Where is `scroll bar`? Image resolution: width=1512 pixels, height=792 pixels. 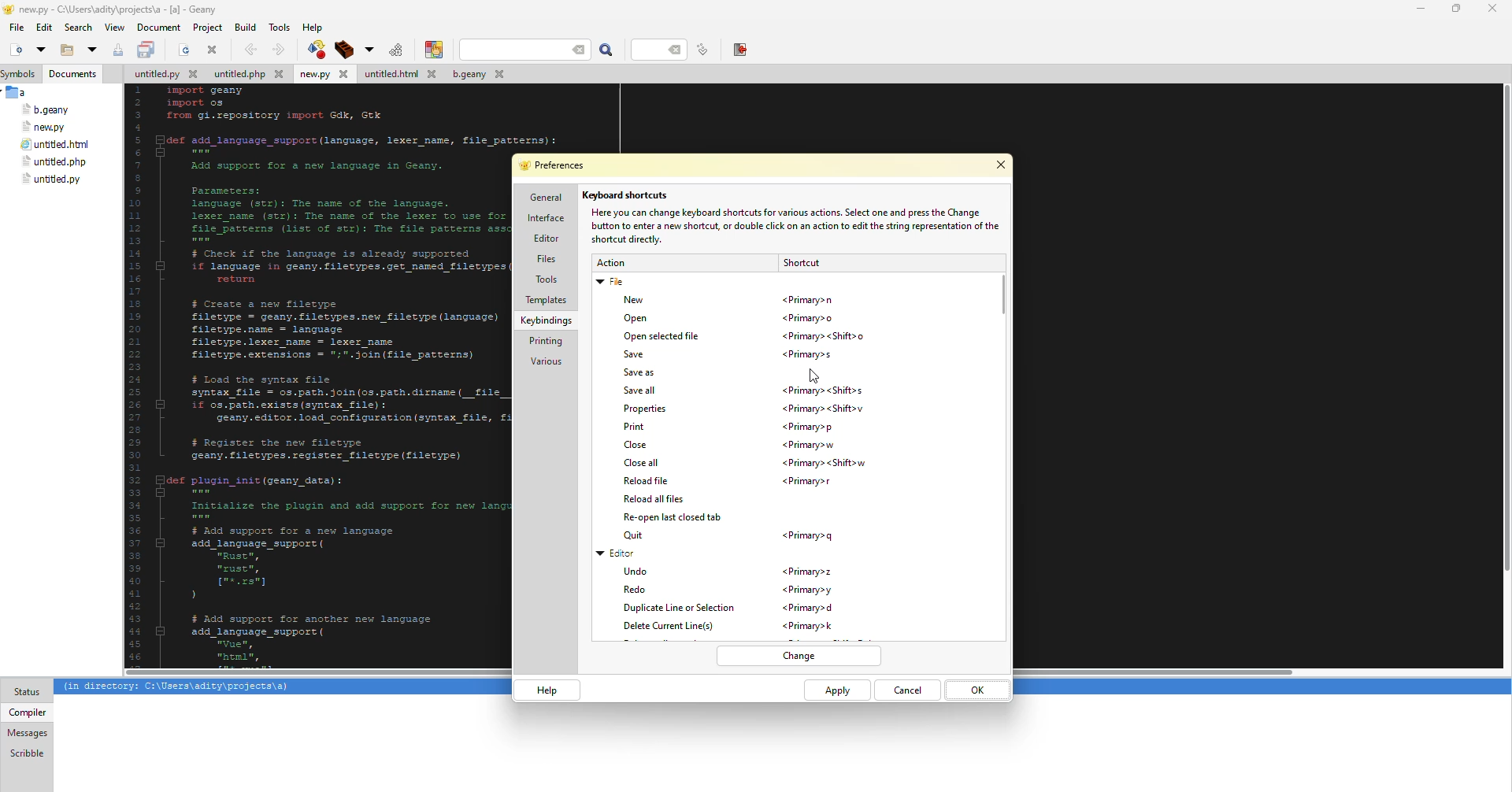
scroll bar is located at coordinates (710, 673).